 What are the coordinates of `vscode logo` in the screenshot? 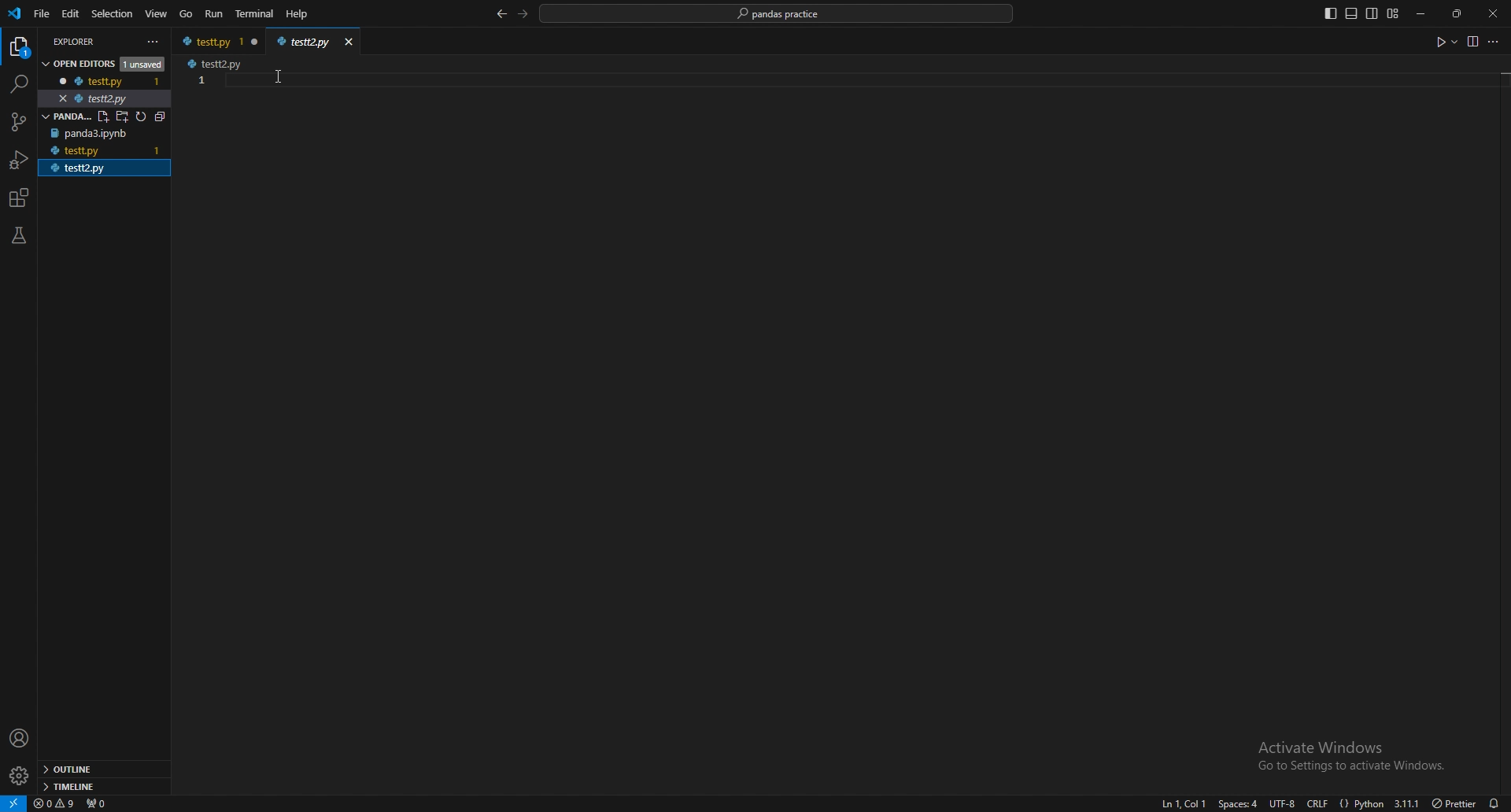 It's located at (14, 14).